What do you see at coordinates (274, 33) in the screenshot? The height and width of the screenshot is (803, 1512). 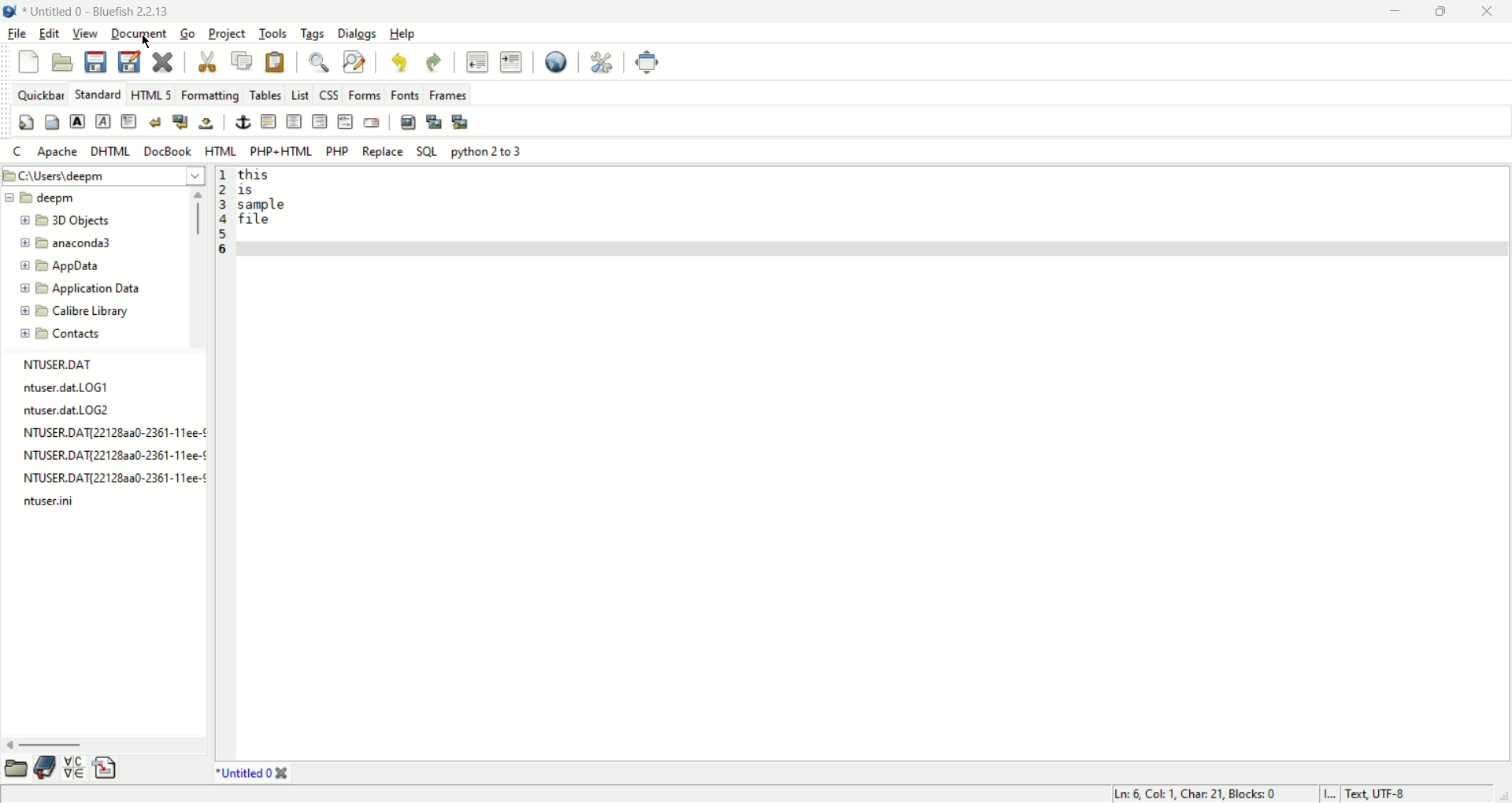 I see `tools` at bounding box center [274, 33].